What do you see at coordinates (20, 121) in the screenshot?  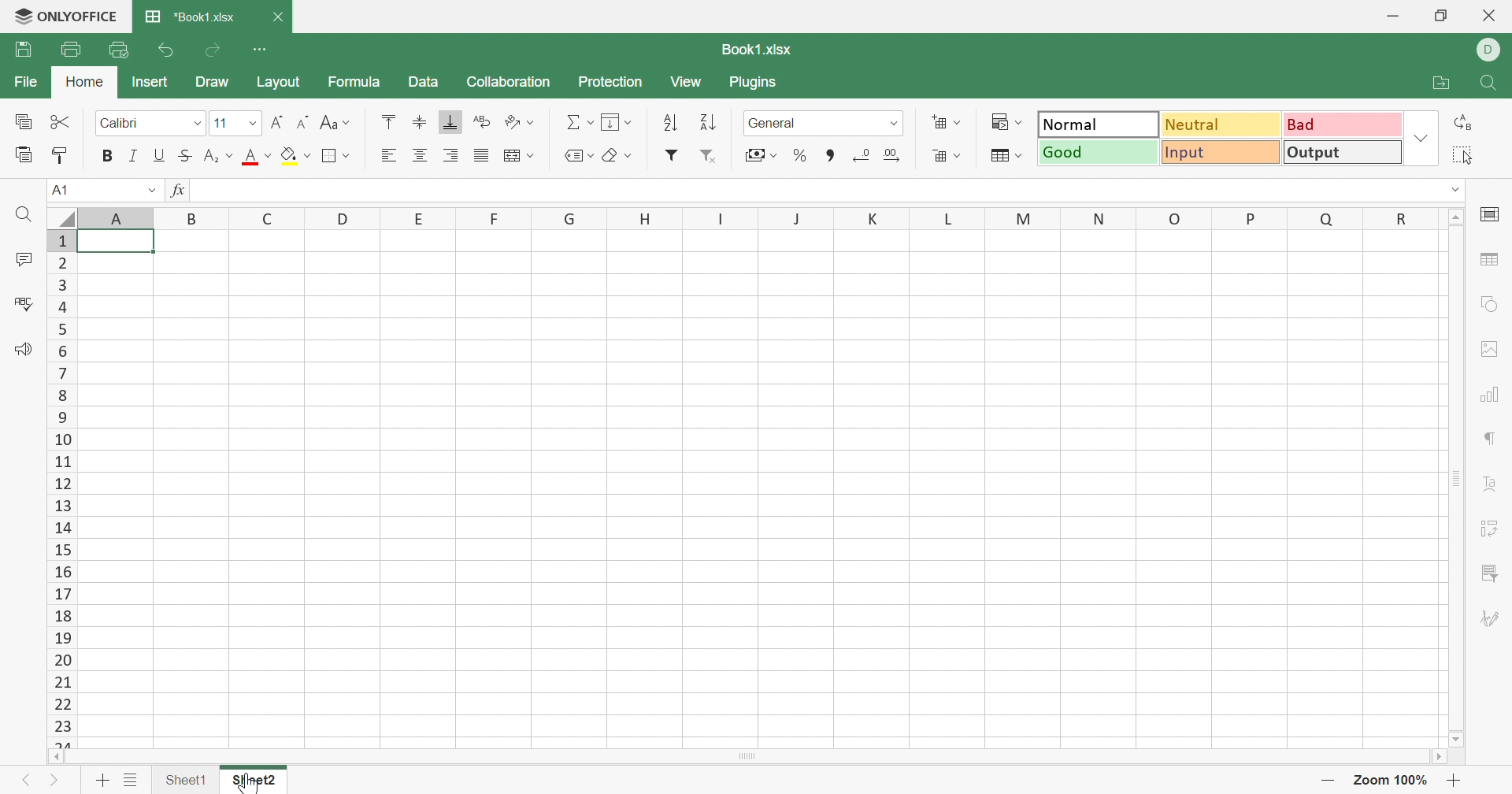 I see `Copy` at bounding box center [20, 121].